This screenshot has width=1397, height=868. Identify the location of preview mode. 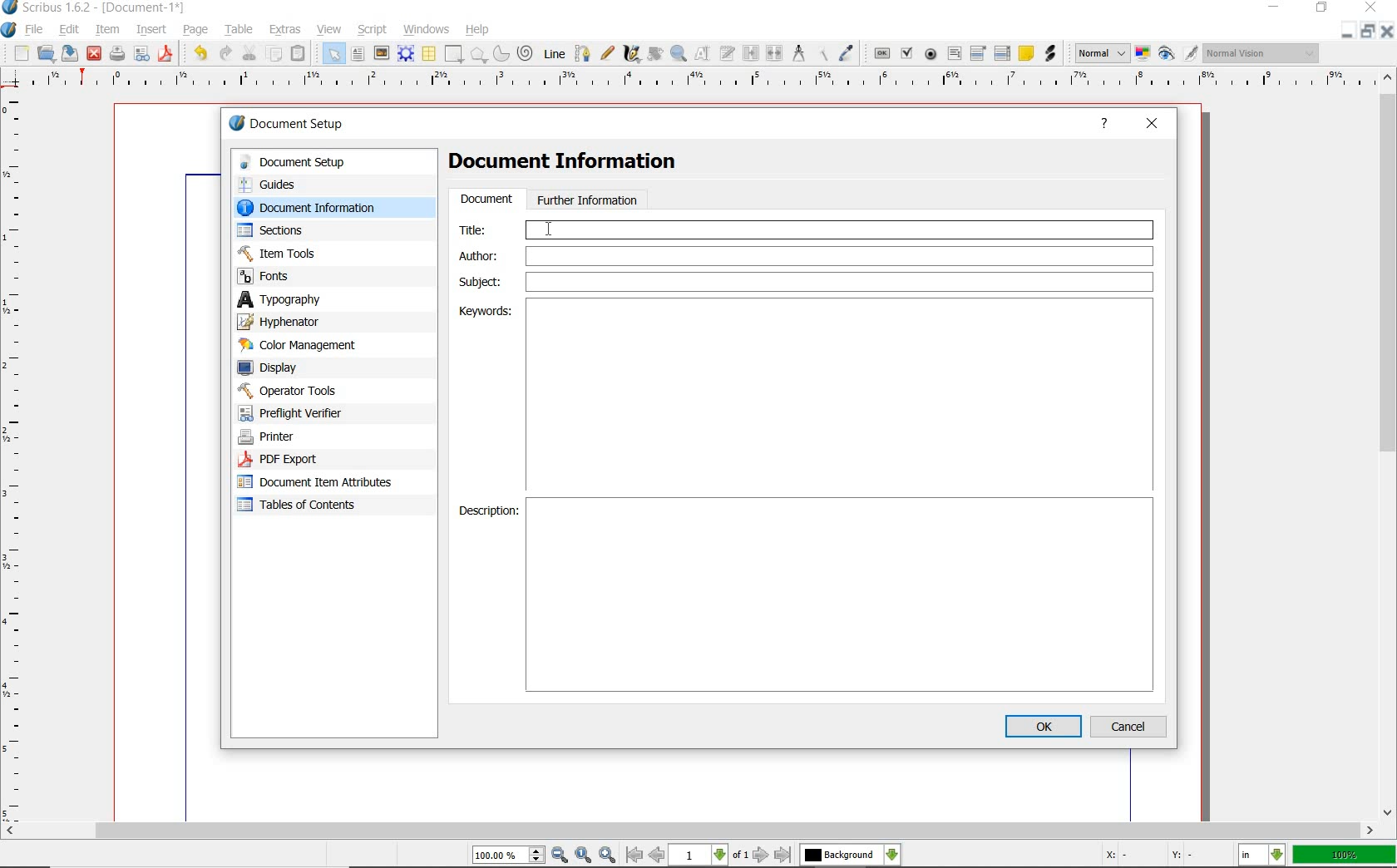
(1179, 54).